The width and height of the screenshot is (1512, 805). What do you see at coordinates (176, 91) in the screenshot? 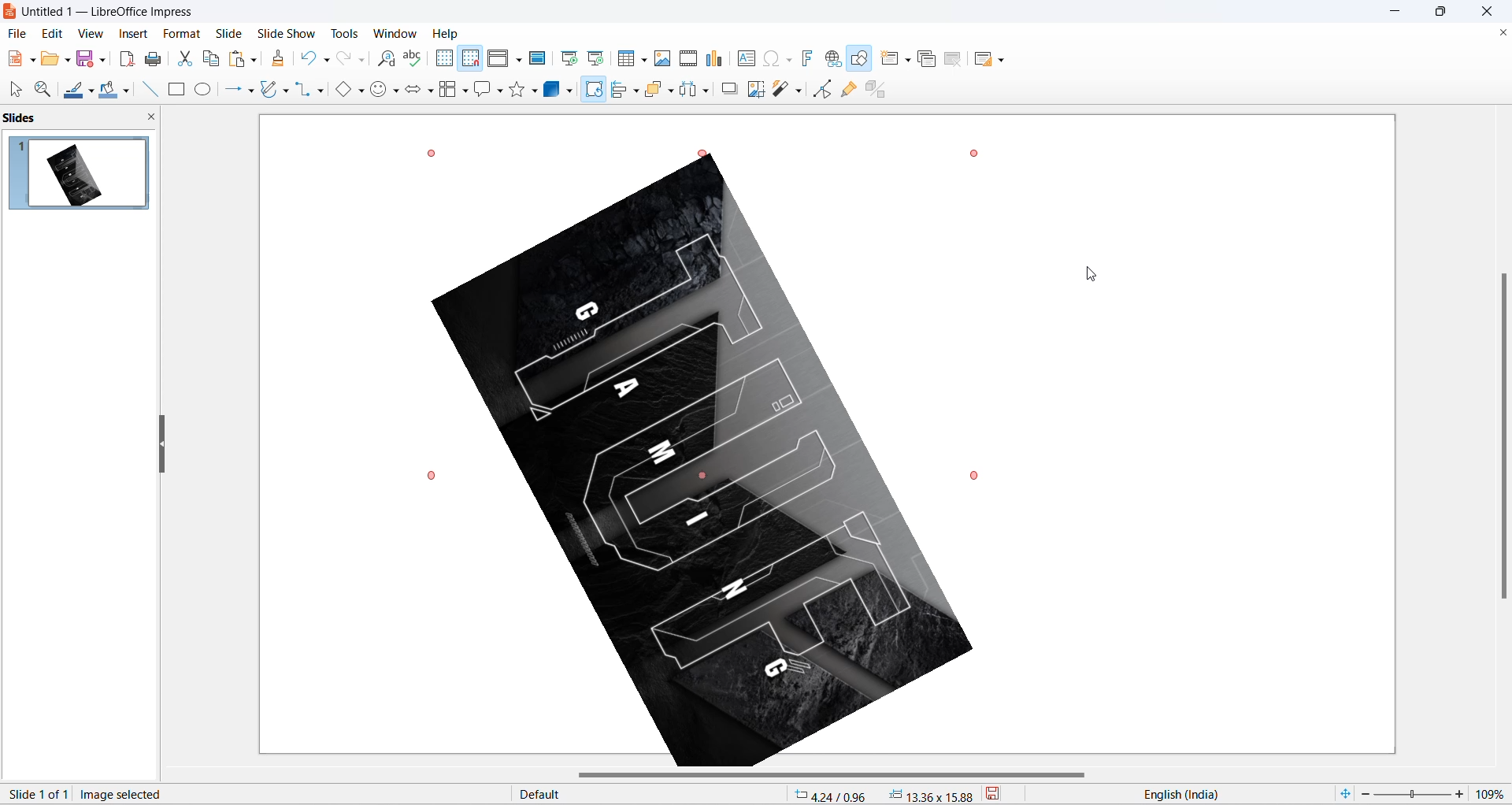
I see `rectangle` at bounding box center [176, 91].